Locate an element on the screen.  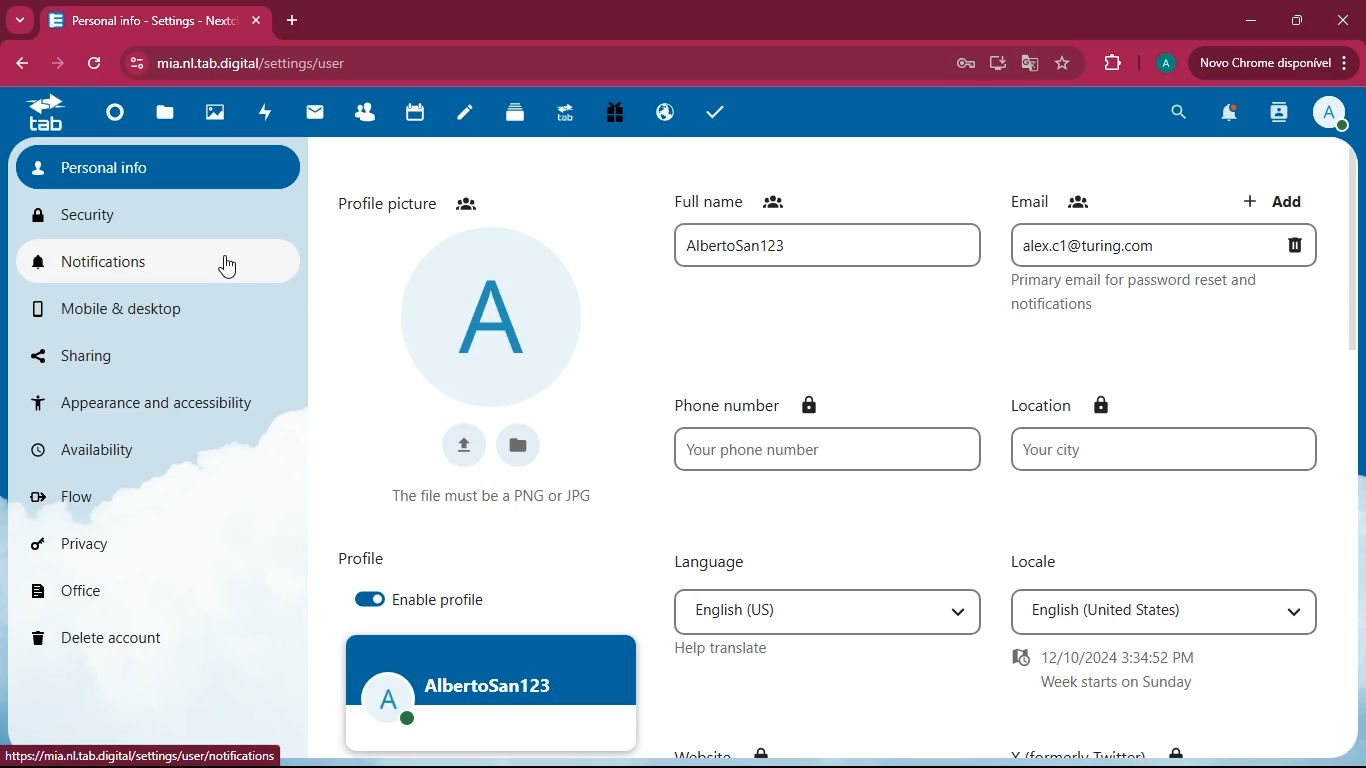
notifications is located at coordinates (1227, 114).